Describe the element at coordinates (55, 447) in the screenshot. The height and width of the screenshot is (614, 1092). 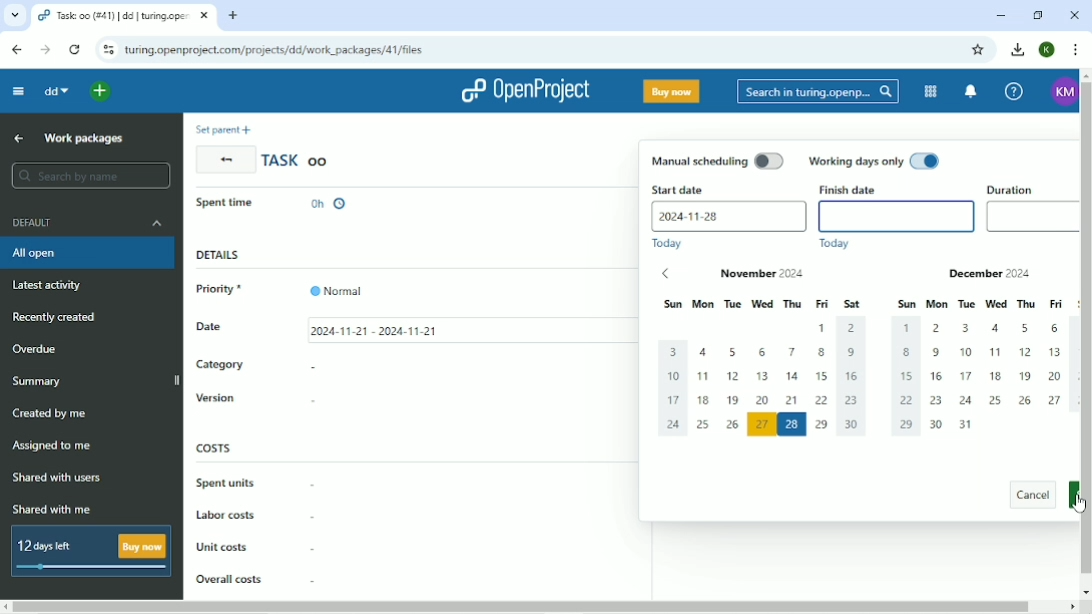
I see `Assigned to me` at that location.